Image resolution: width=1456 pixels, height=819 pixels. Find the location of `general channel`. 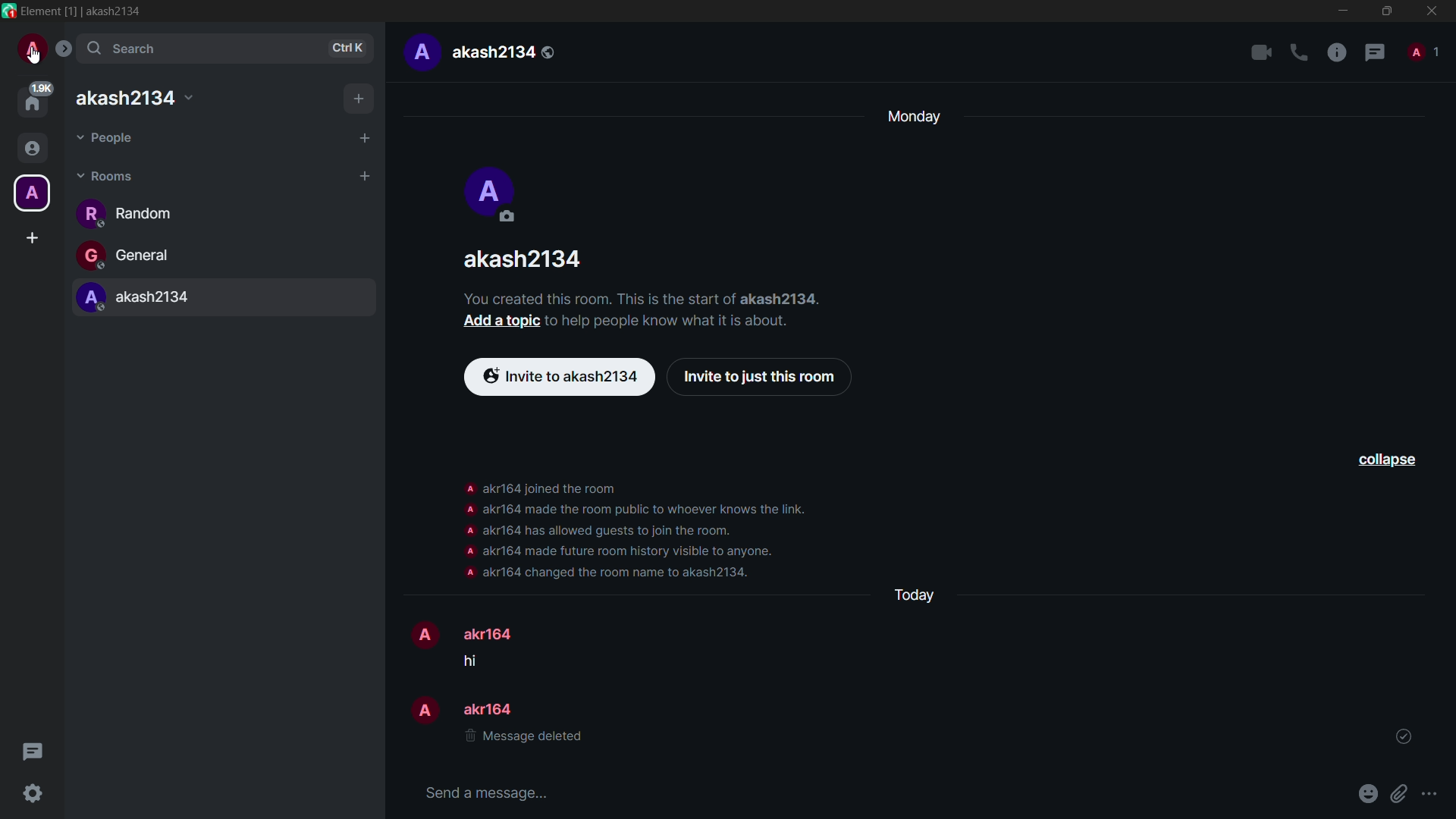

general channel is located at coordinates (129, 256).